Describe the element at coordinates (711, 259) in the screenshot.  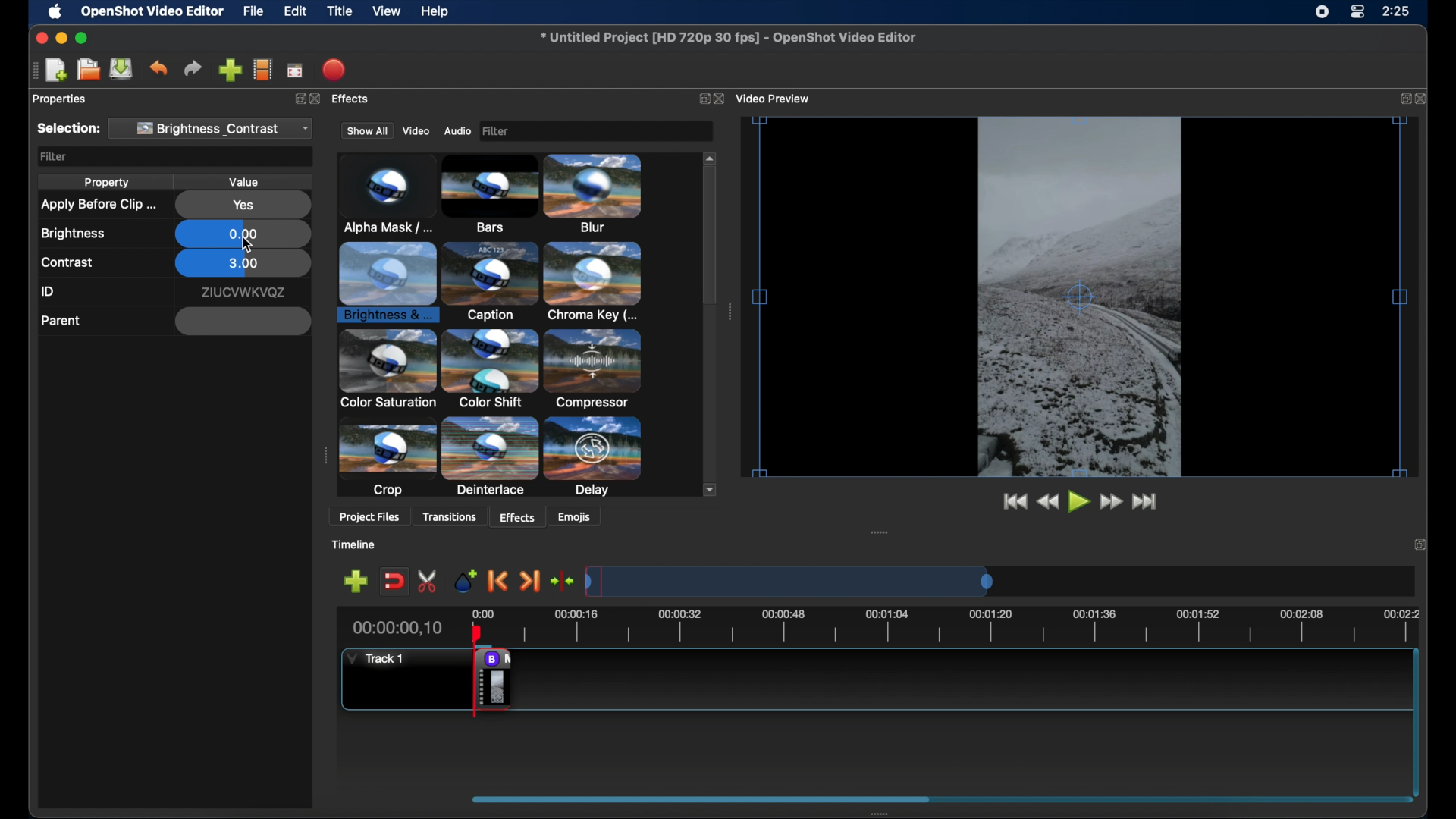
I see `scroll box` at that location.